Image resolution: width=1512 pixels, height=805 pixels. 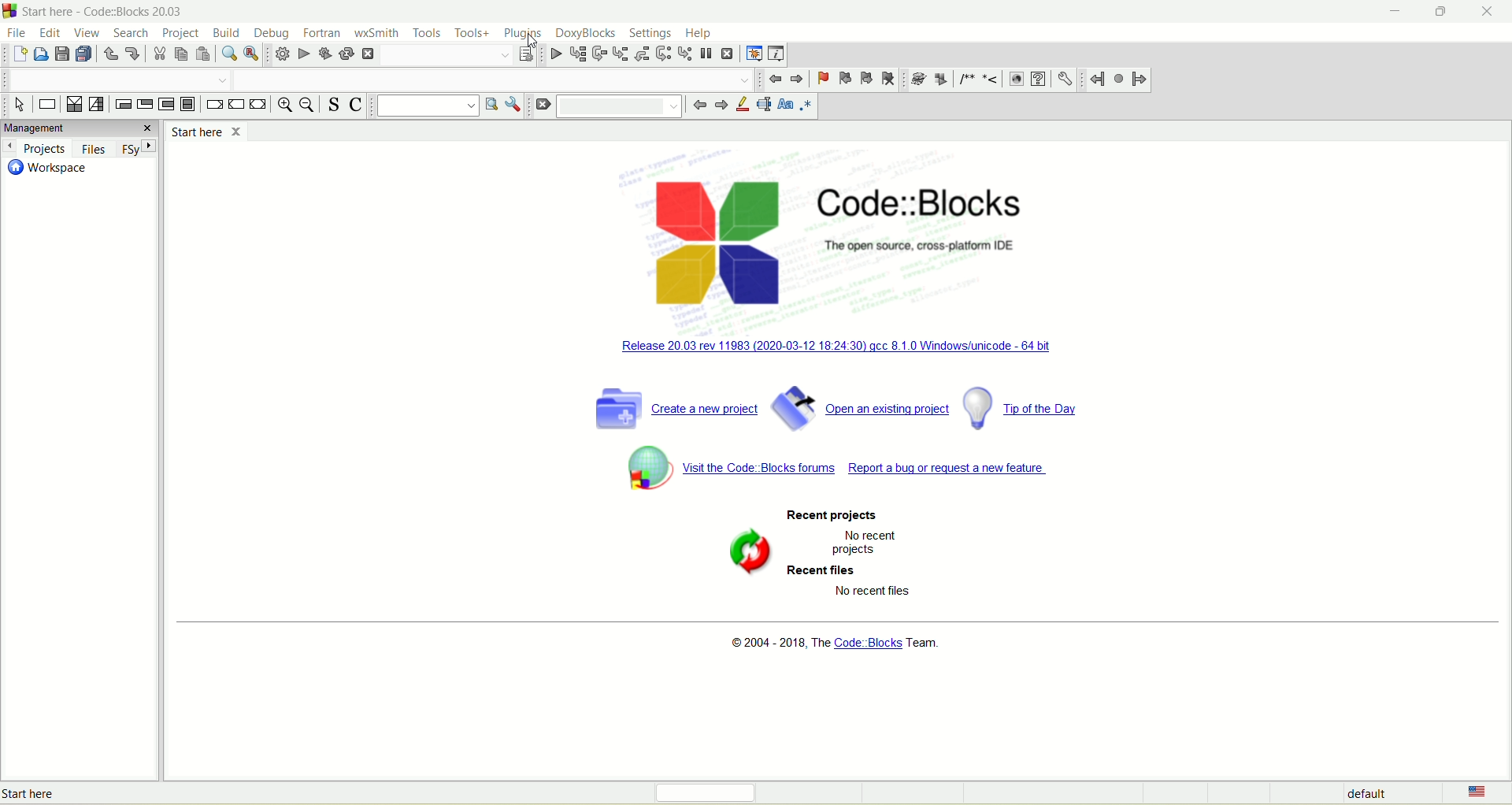 What do you see at coordinates (622, 106) in the screenshot?
I see `blank space` at bounding box center [622, 106].